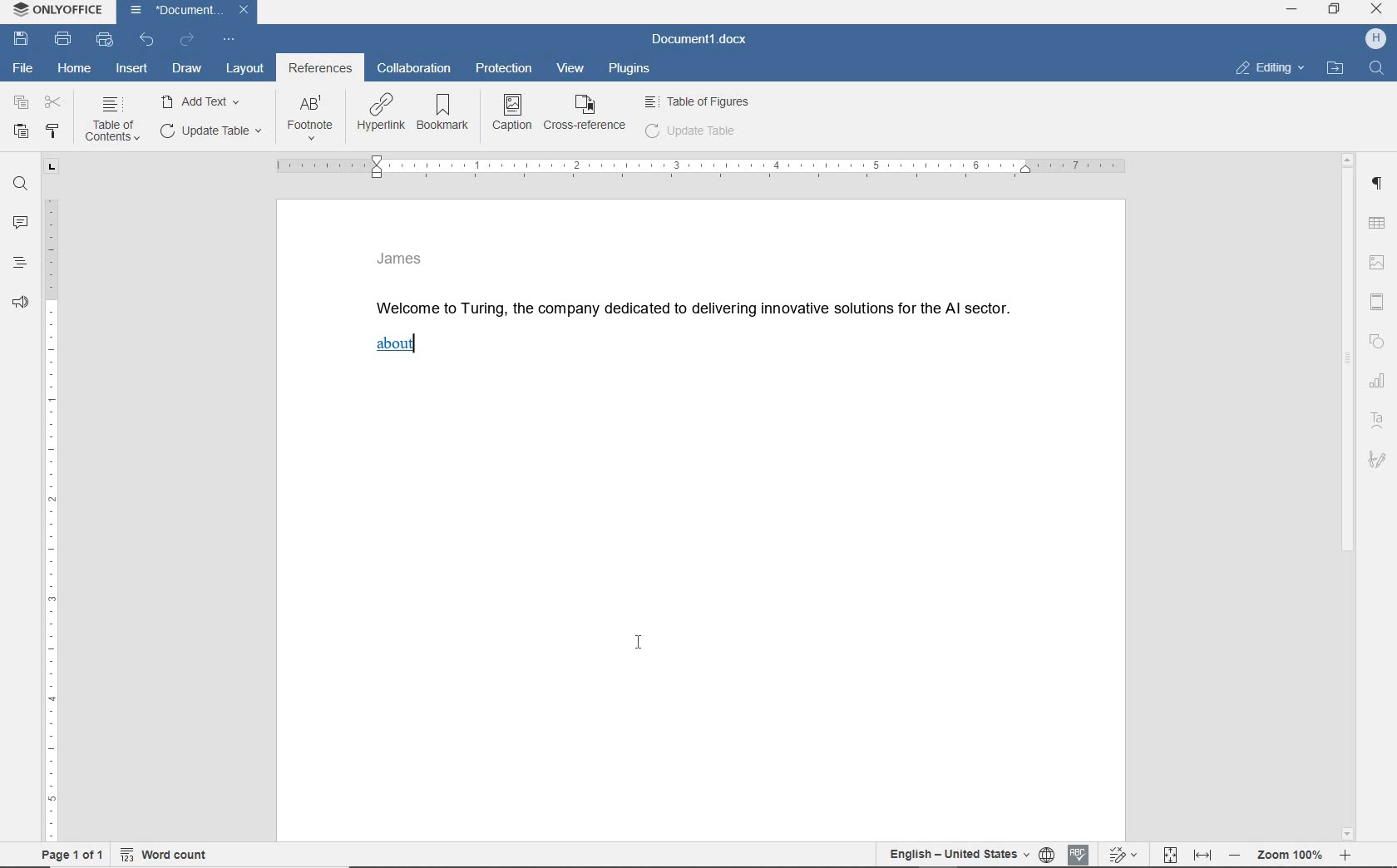 This screenshot has width=1397, height=868. Describe the element at coordinates (1047, 856) in the screenshot. I see `set document language` at that location.